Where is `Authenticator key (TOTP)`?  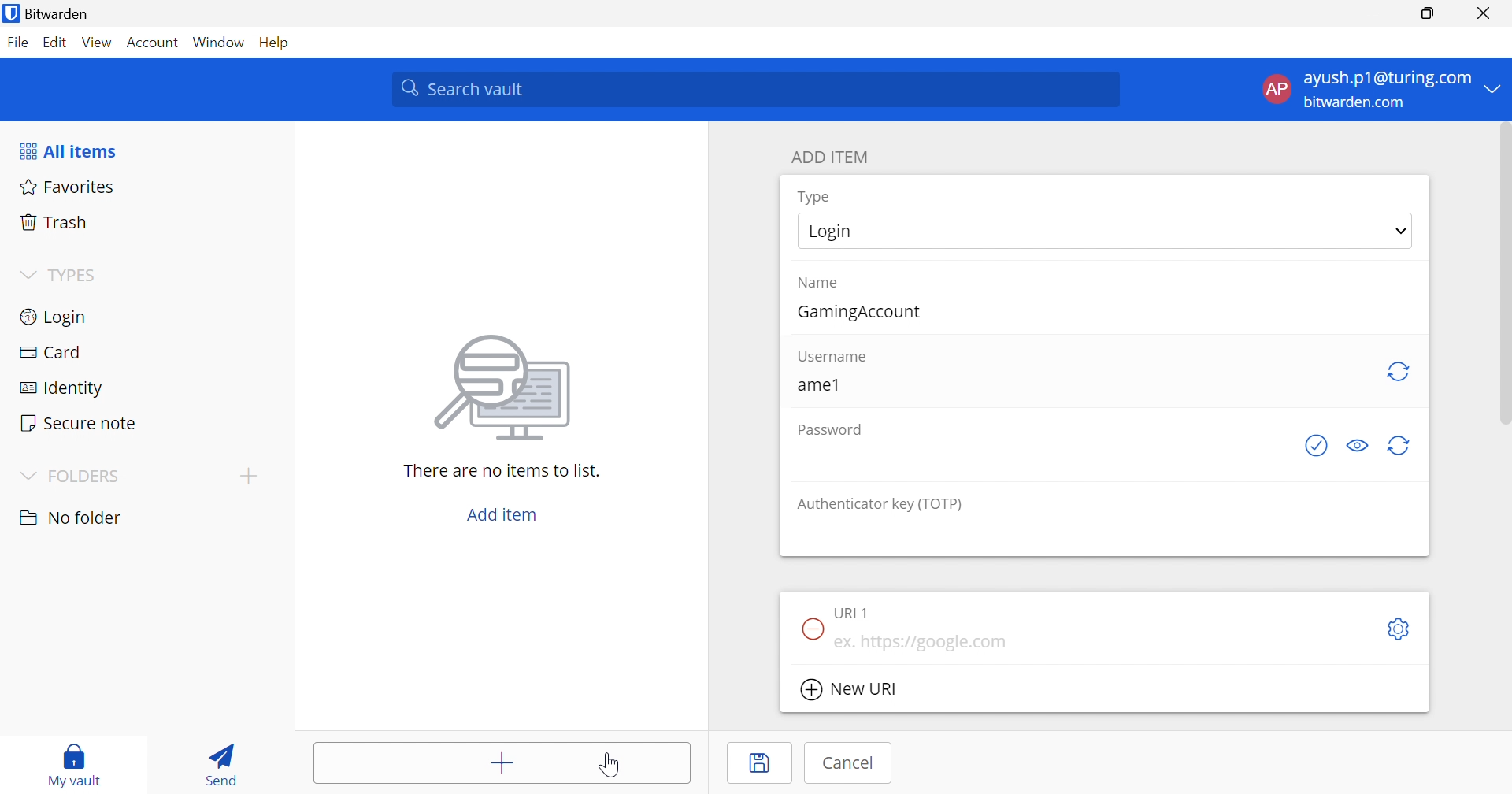 Authenticator key (TOTP) is located at coordinates (884, 504).